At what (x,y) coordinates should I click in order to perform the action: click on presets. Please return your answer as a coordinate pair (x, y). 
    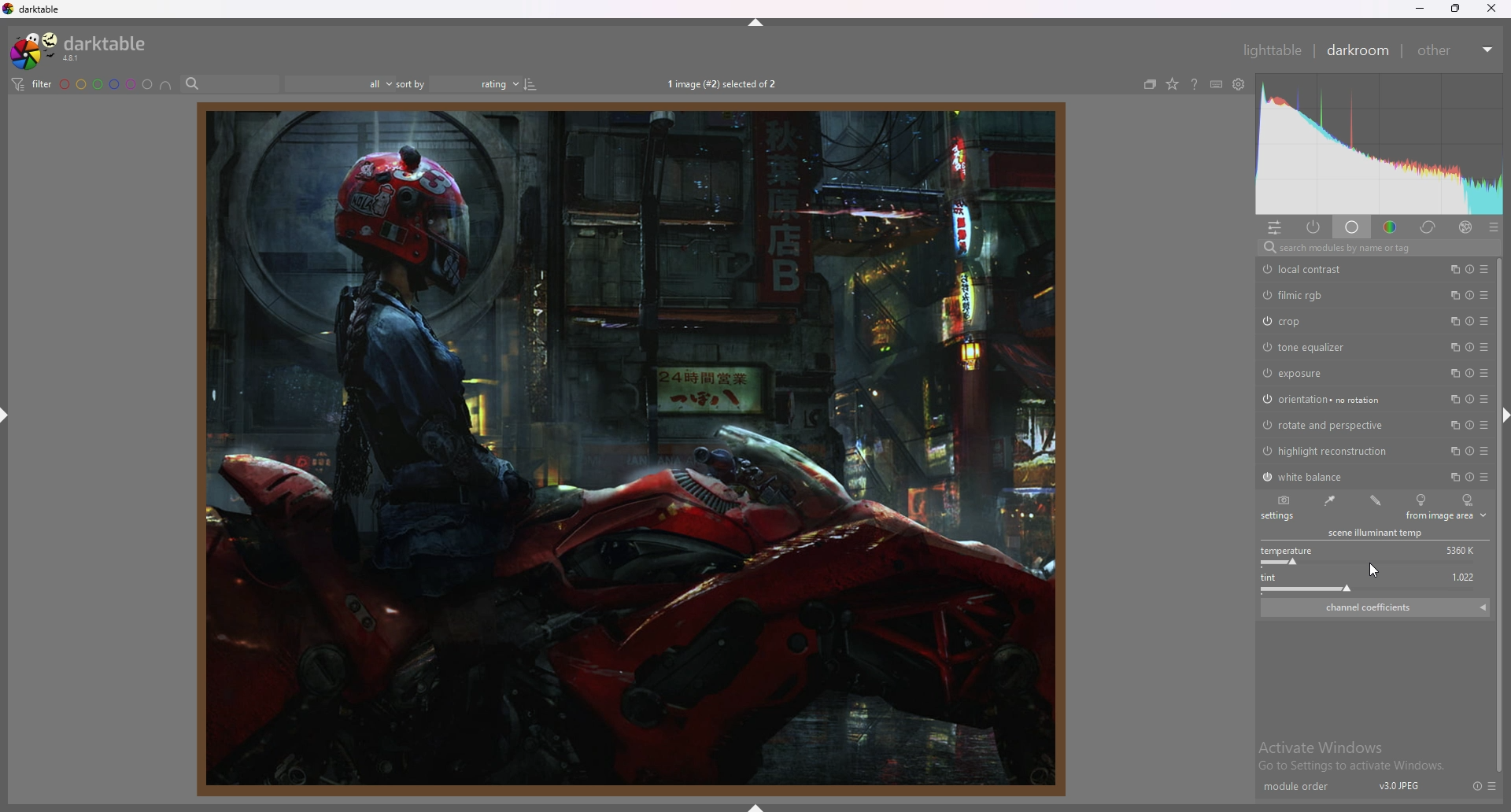
    Looking at the image, I should click on (1484, 268).